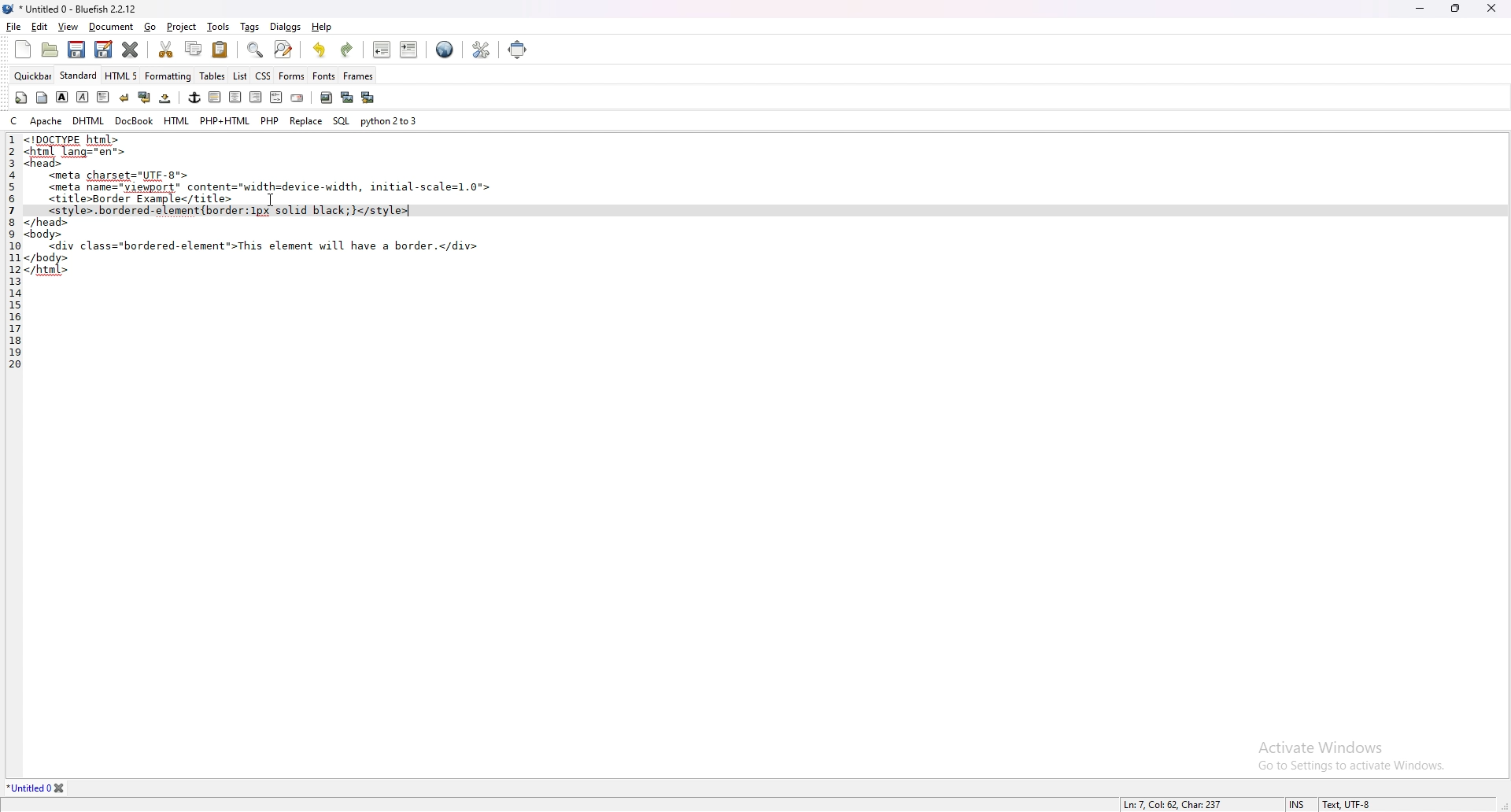 This screenshot has height=812, width=1511. Describe the element at coordinates (1345, 804) in the screenshot. I see `Text, UTF-8` at that location.